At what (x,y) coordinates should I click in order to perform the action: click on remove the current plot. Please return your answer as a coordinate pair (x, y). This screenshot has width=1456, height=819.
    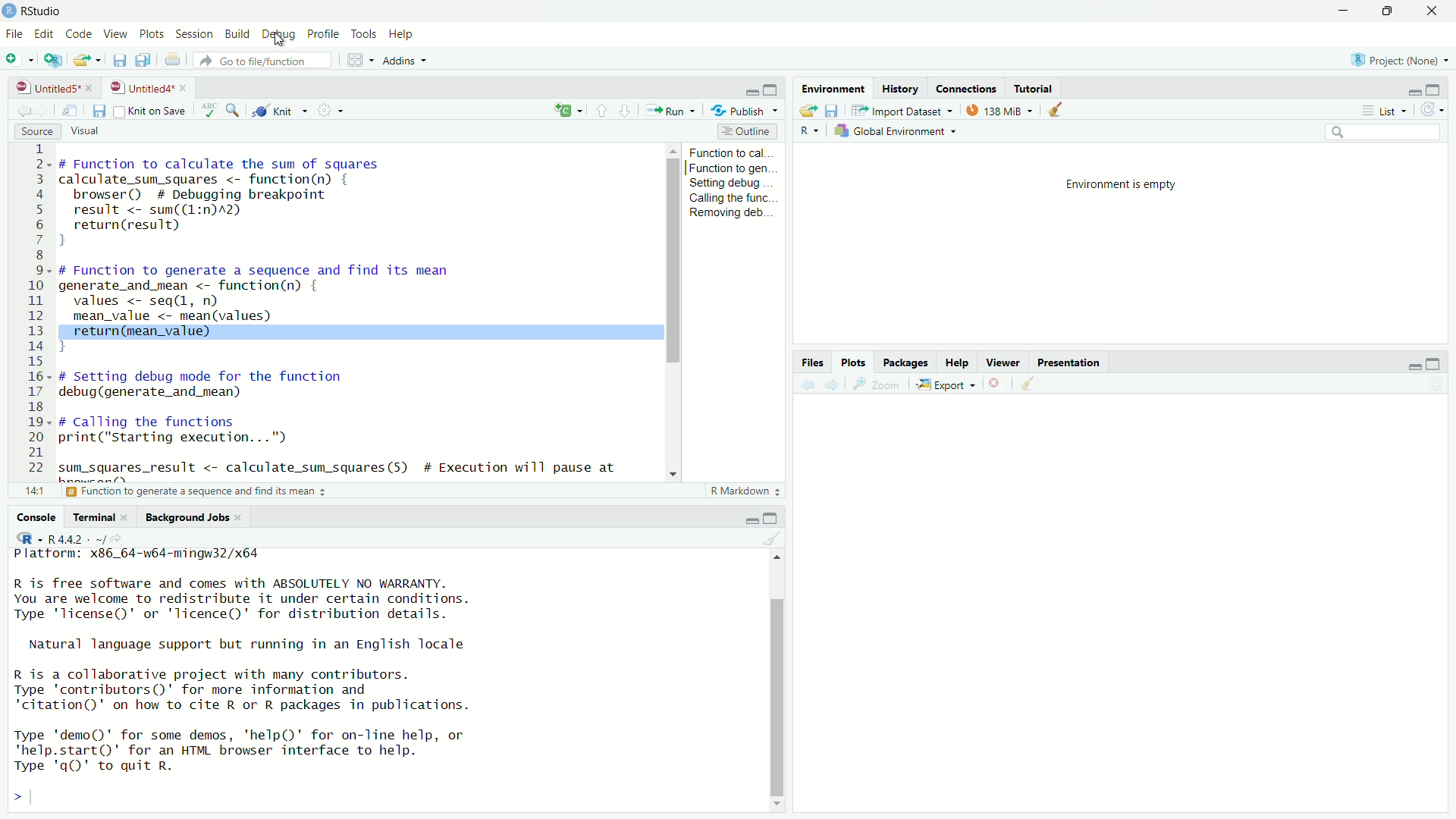
    Looking at the image, I should click on (996, 385).